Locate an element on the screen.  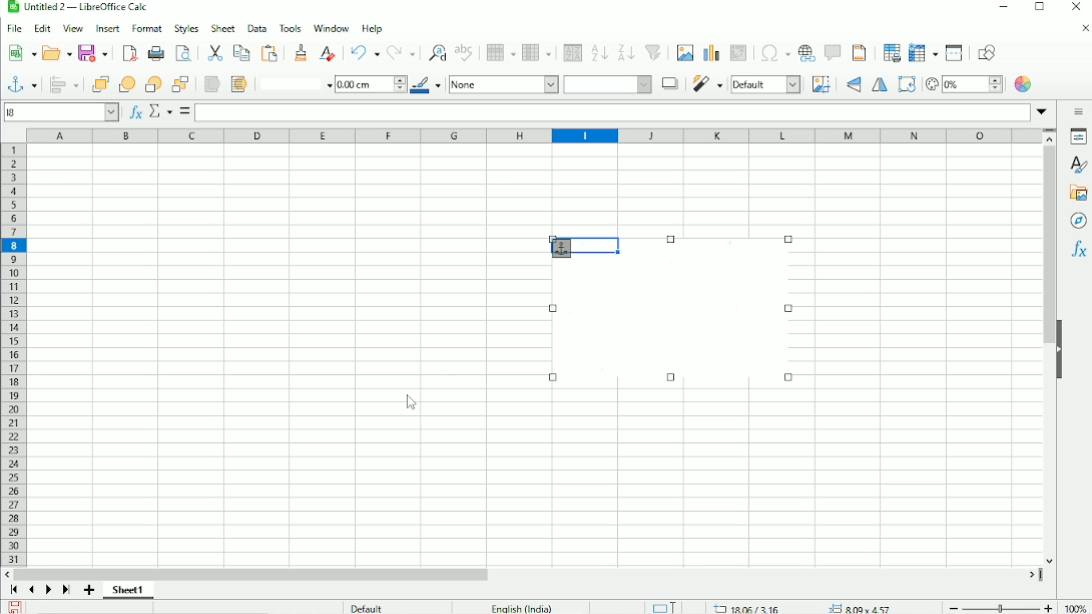
Column headings is located at coordinates (531, 135).